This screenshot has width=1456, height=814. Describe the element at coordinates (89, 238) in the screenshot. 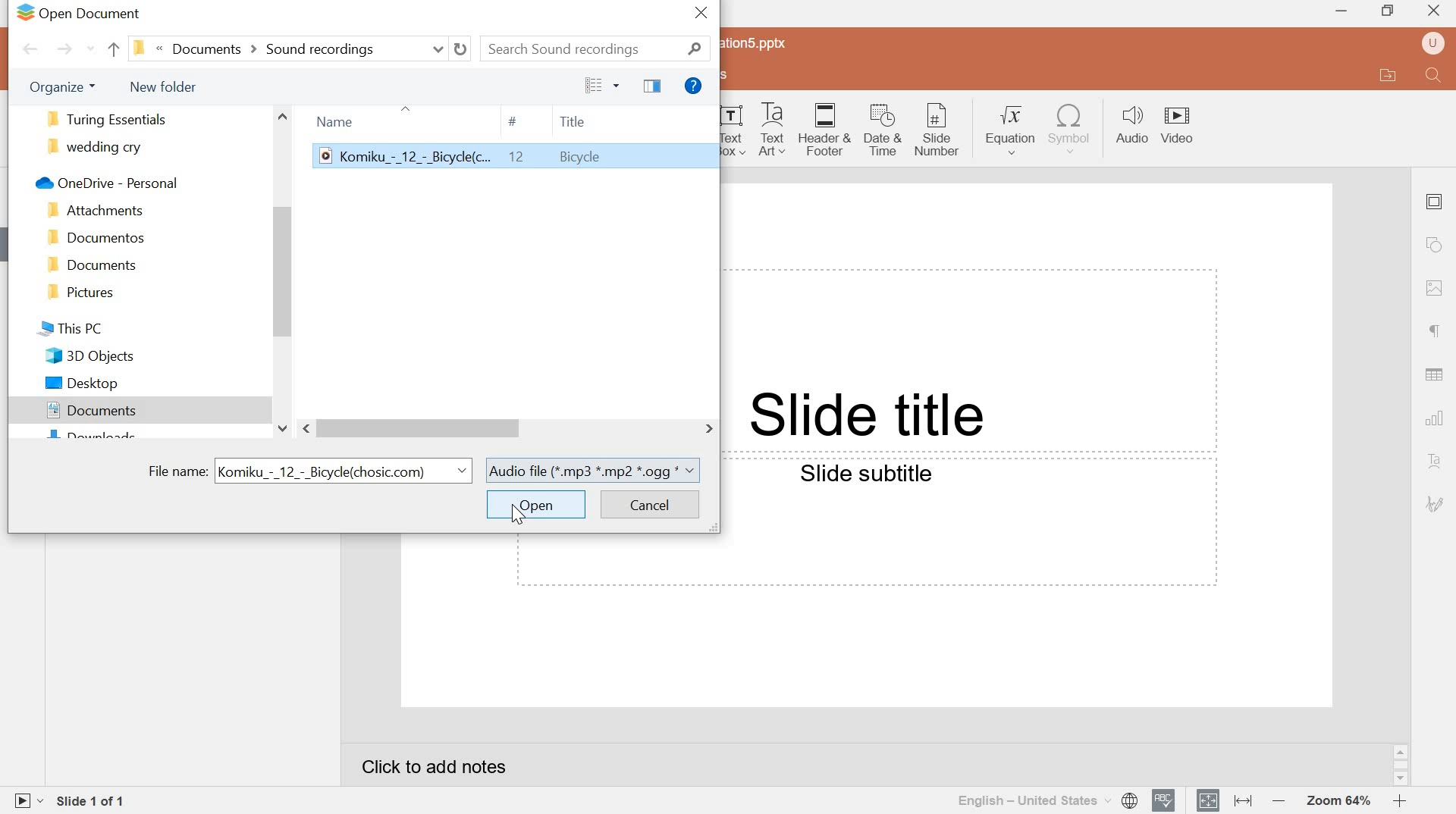

I see `documentos folder` at that location.